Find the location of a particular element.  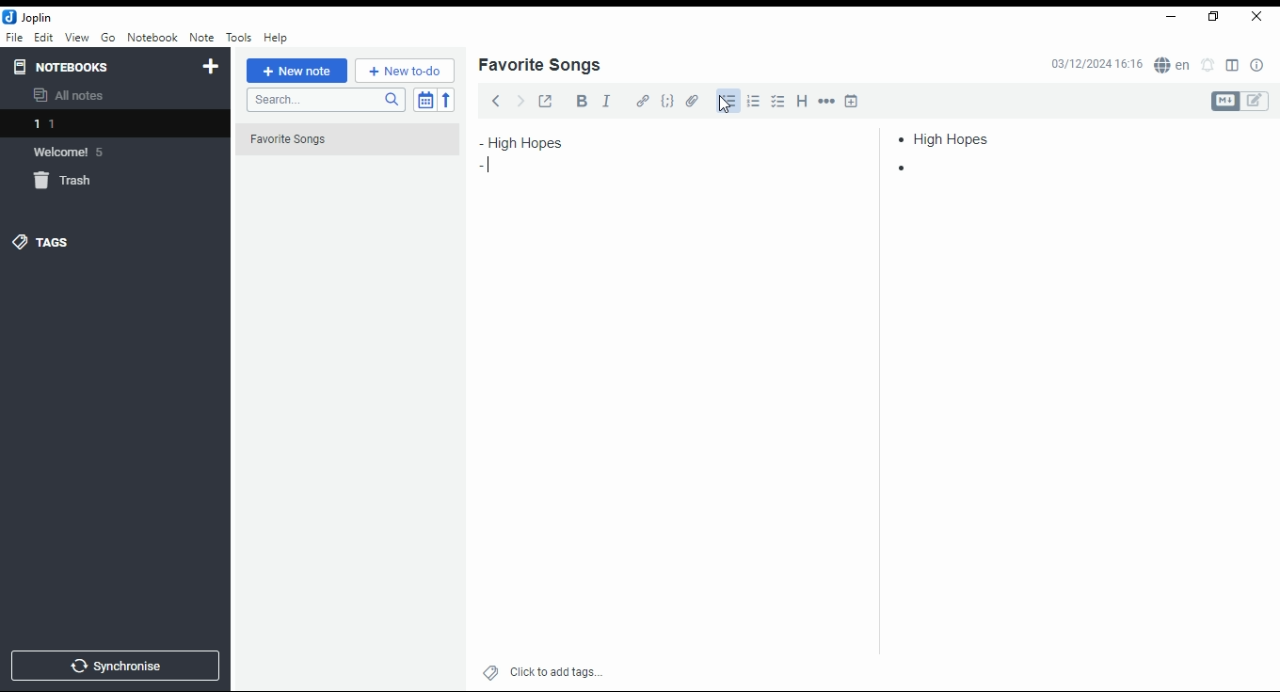

insert time is located at coordinates (852, 100).